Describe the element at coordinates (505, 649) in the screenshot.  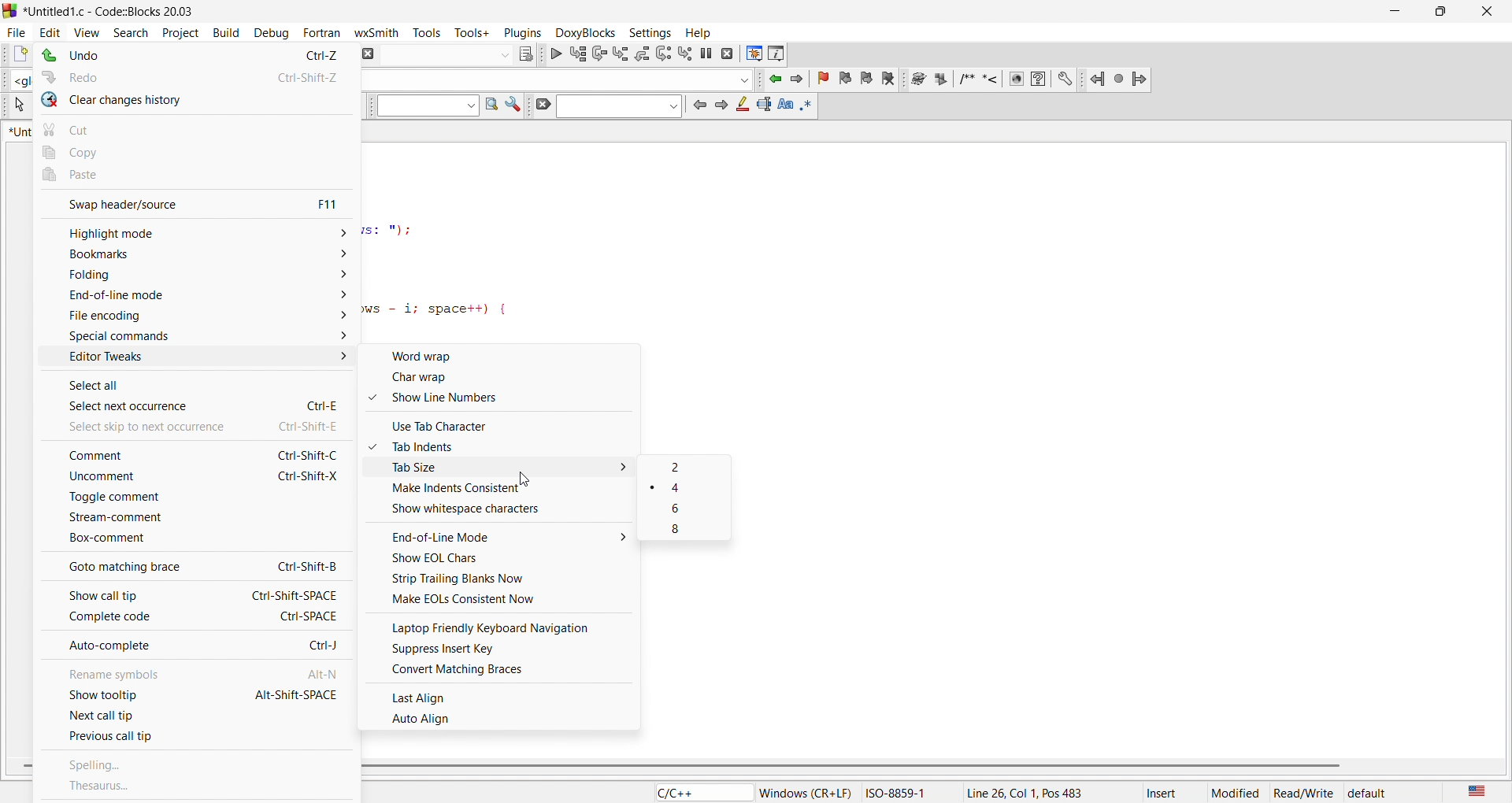
I see `supress insert key` at that location.